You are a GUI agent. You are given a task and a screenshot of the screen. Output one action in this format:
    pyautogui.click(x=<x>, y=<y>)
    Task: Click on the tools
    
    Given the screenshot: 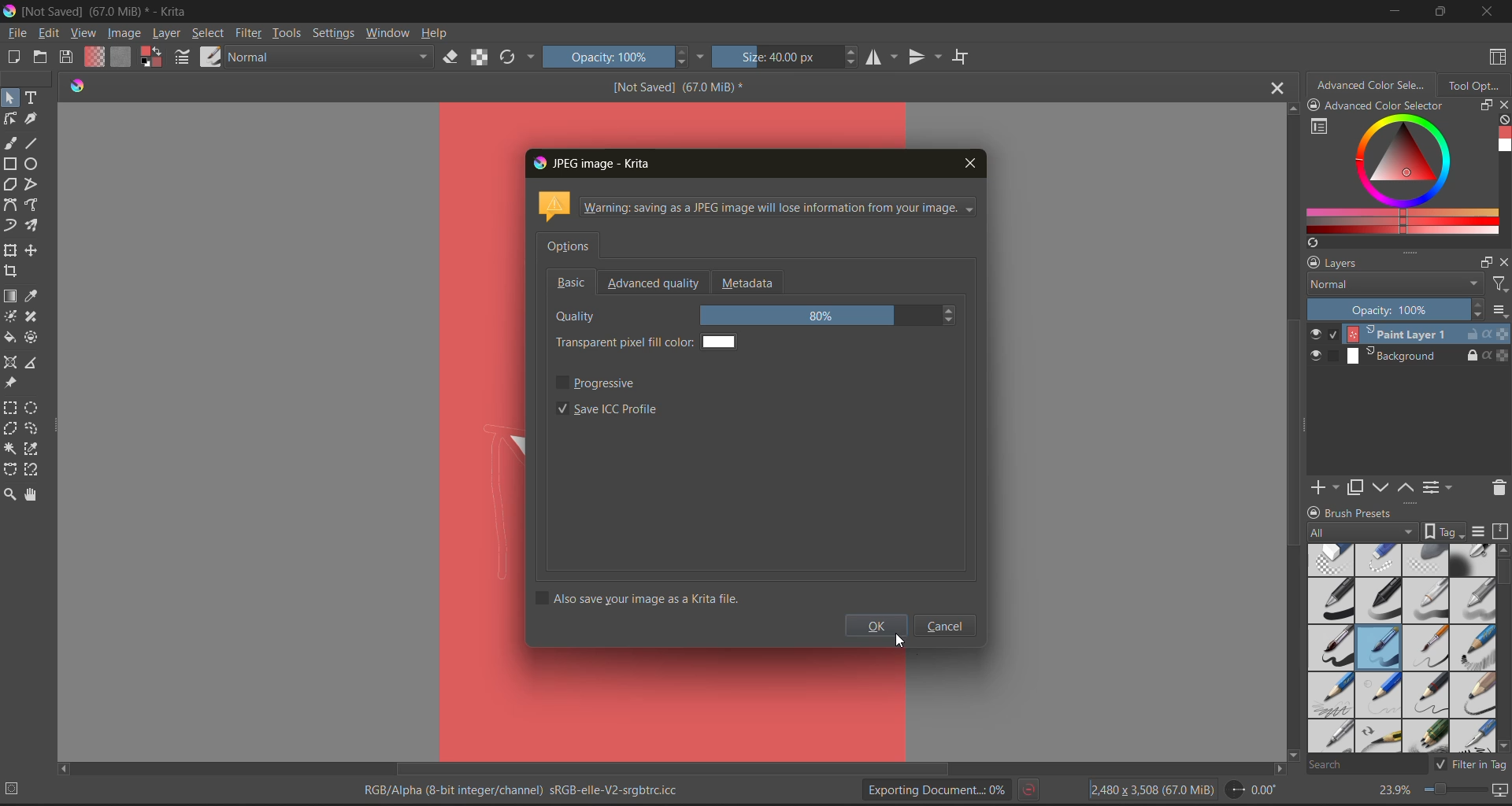 What is the action you would take?
    pyautogui.click(x=33, y=227)
    